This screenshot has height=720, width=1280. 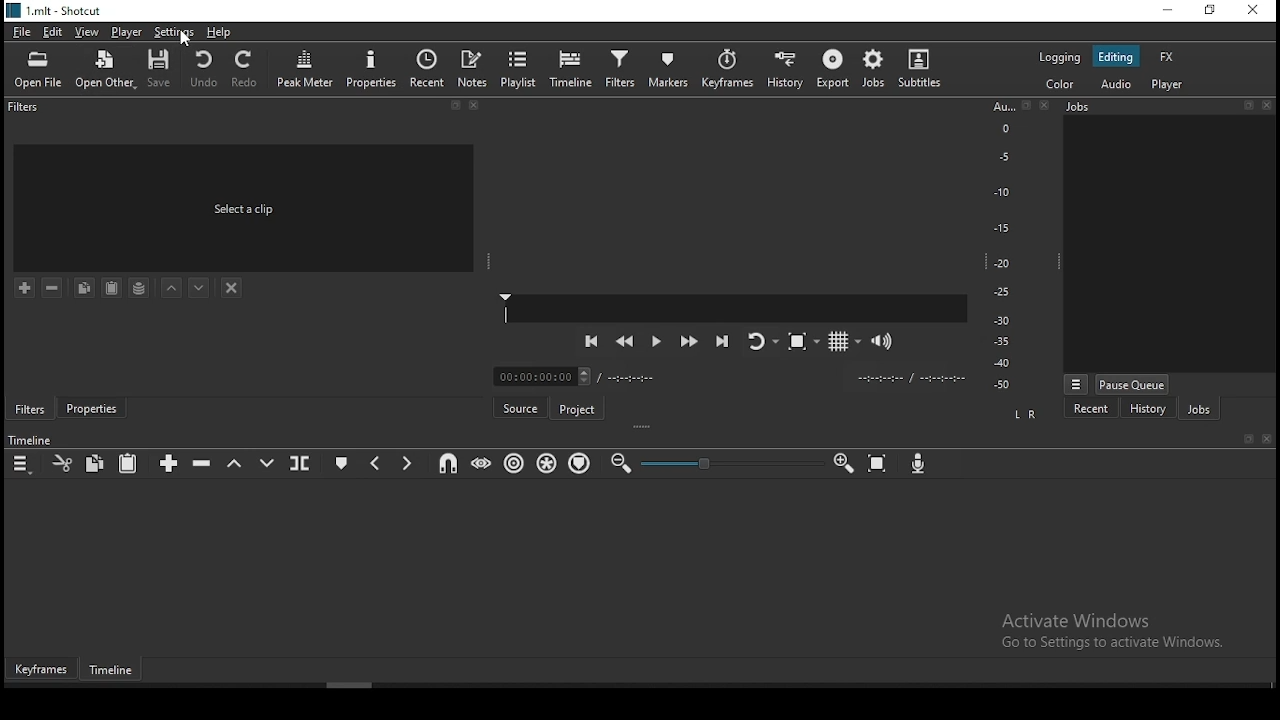 I want to click on append, so click(x=171, y=463).